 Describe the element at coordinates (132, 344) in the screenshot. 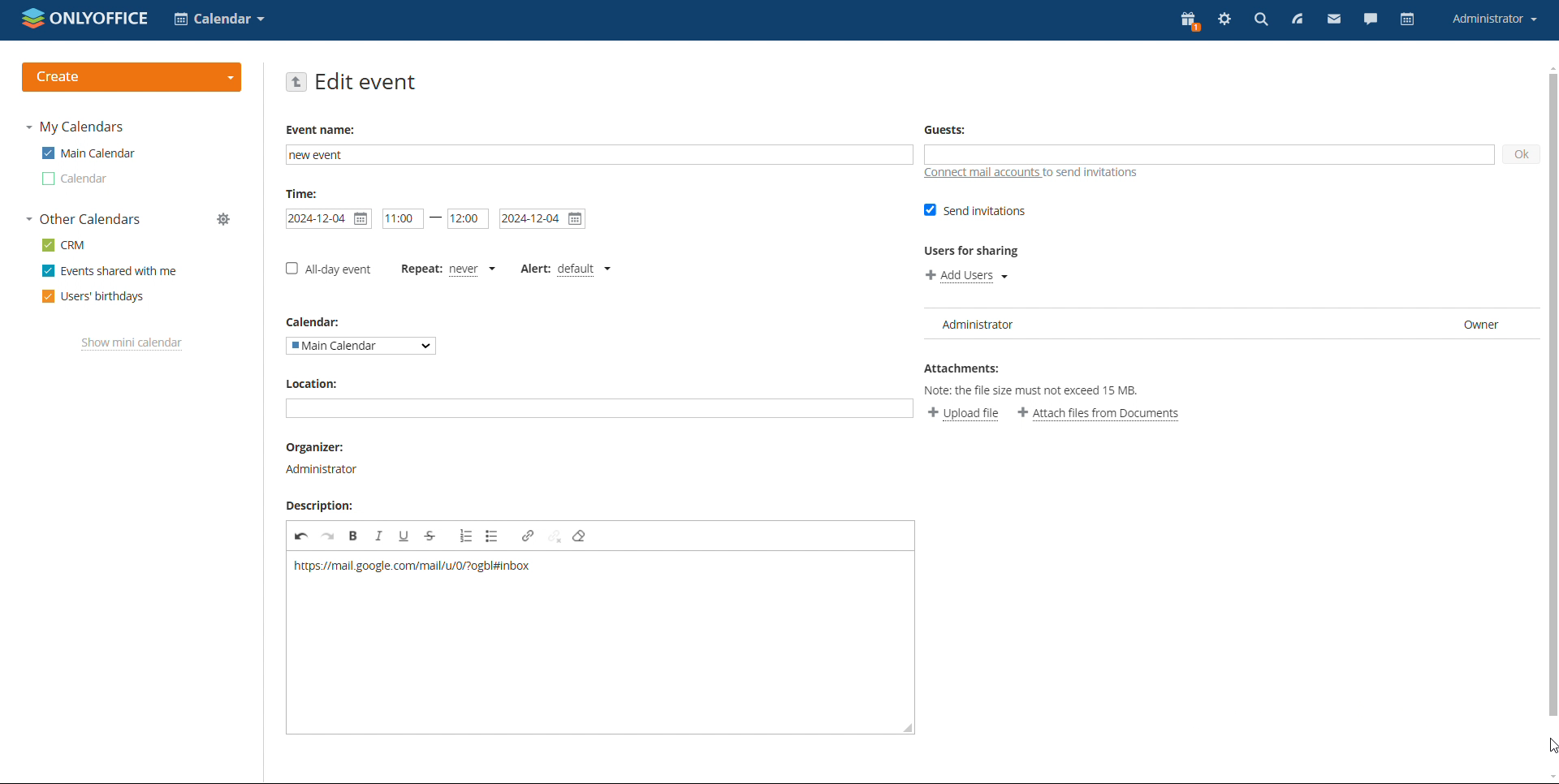

I see `show mini calendar` at that location.